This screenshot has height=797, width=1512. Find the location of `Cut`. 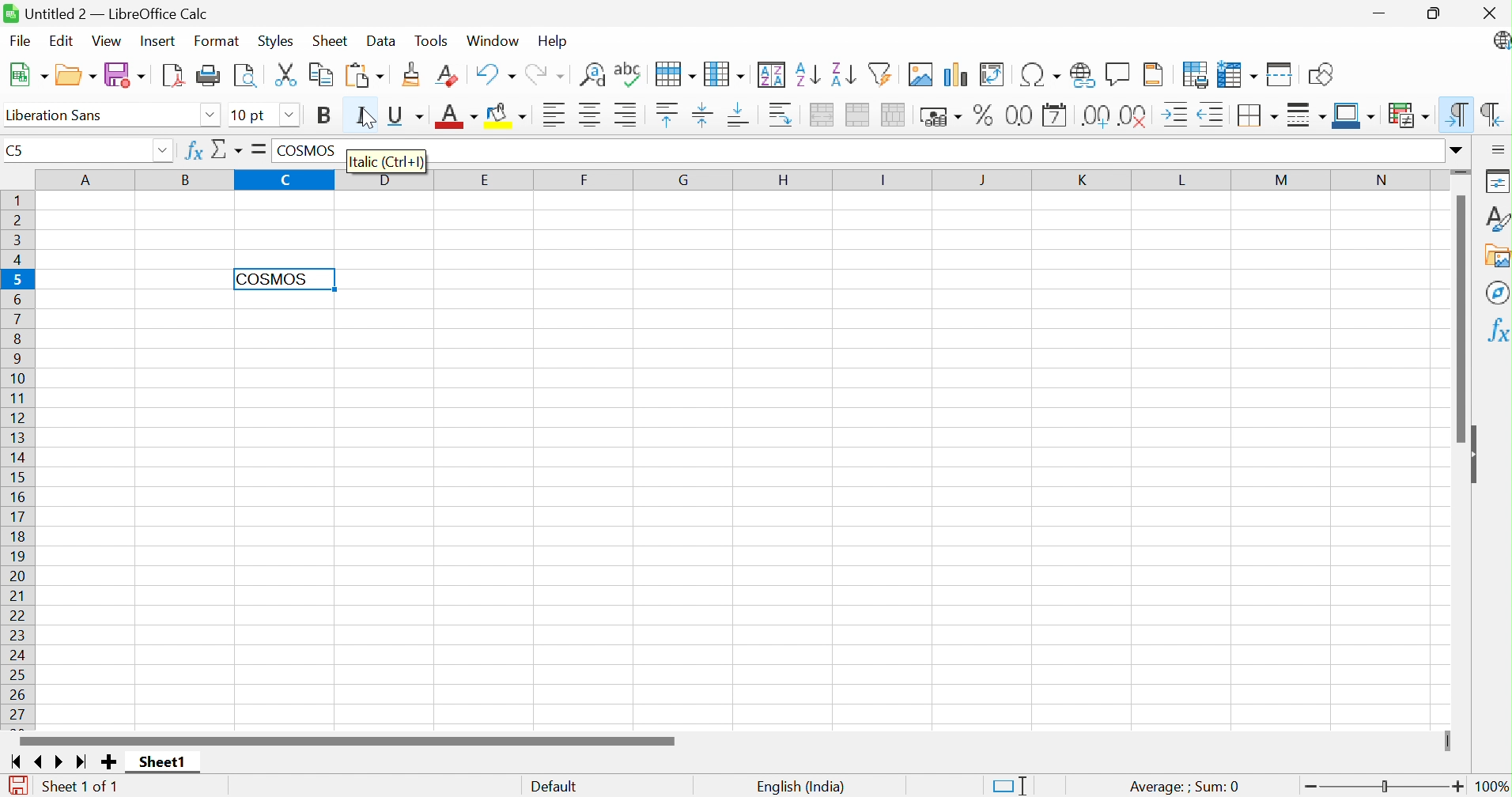

Cut is located at coordinates (285, 74).